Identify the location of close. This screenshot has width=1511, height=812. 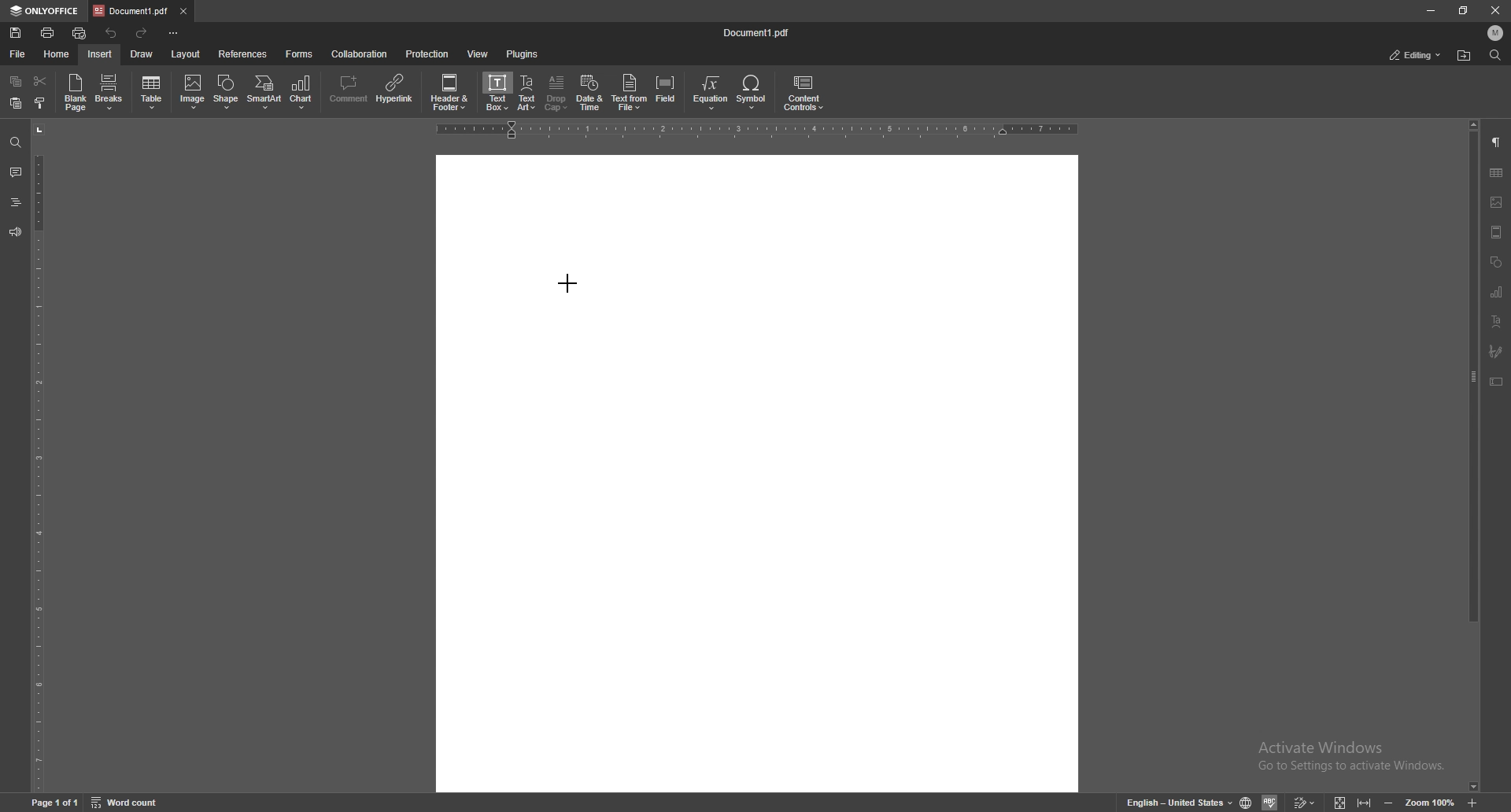
(1496, 13).